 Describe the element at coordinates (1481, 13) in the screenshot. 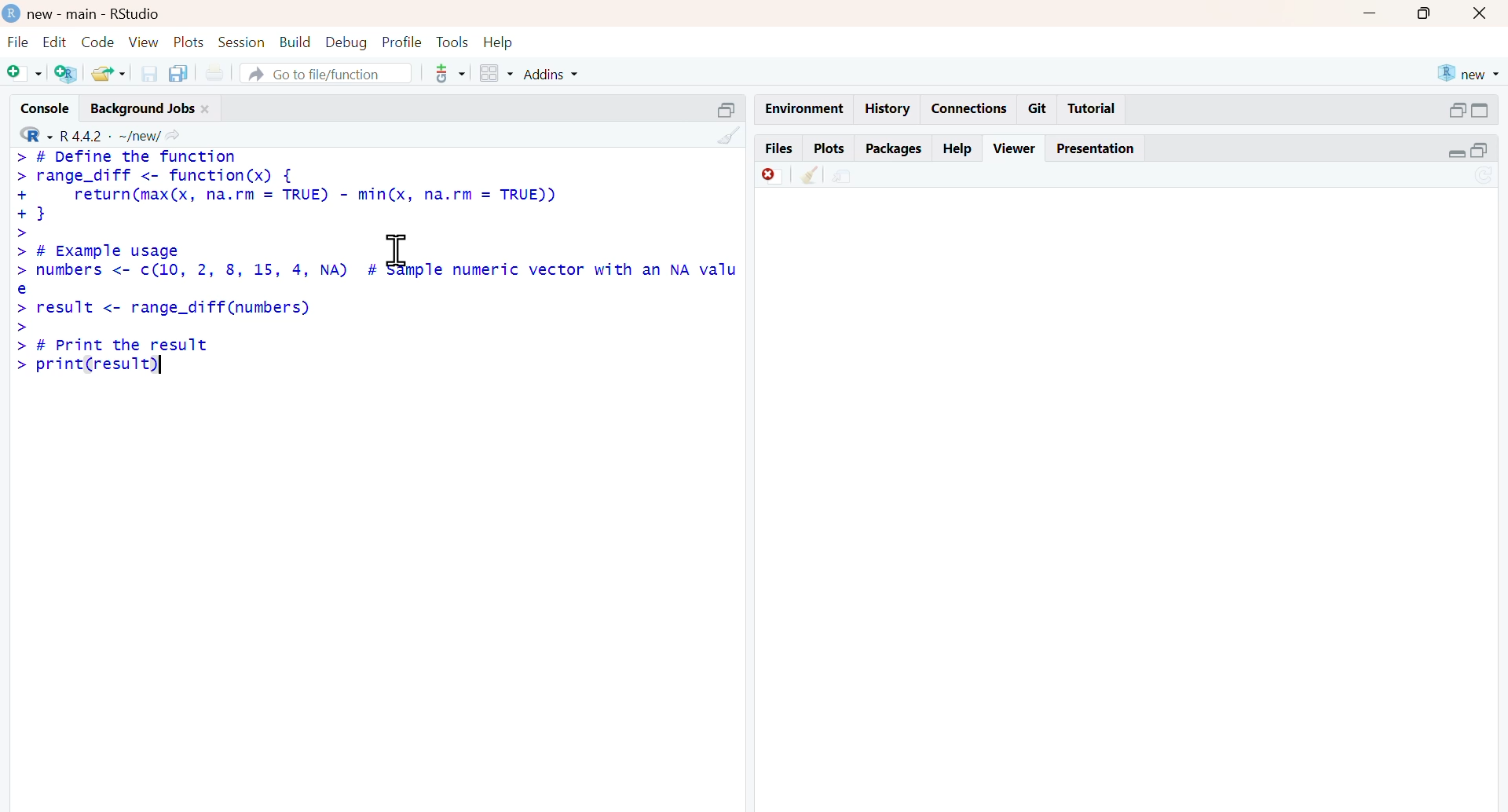

I see `` at that location.